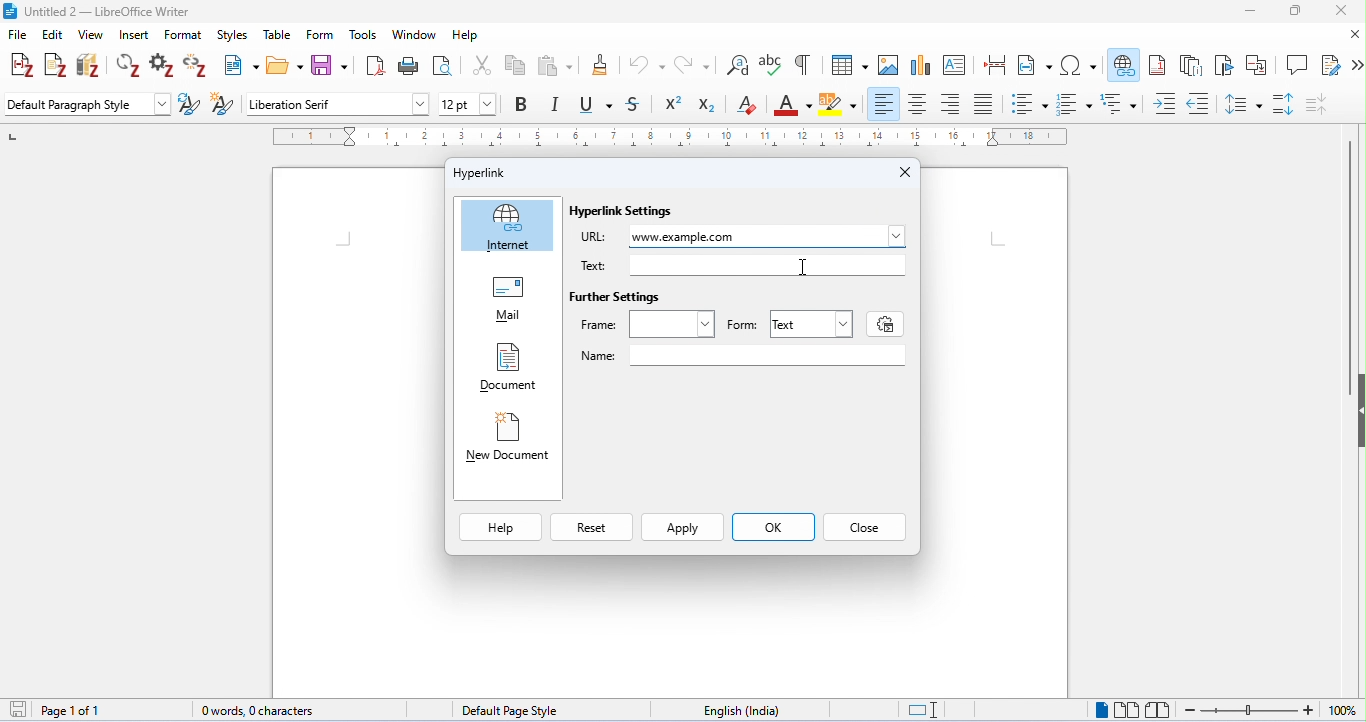 The width and height of the screenshot is (1366, 722). Describe the element at coordinates (767, 236) in the screenshot. I see `www.example.com typed as URL` at that location.